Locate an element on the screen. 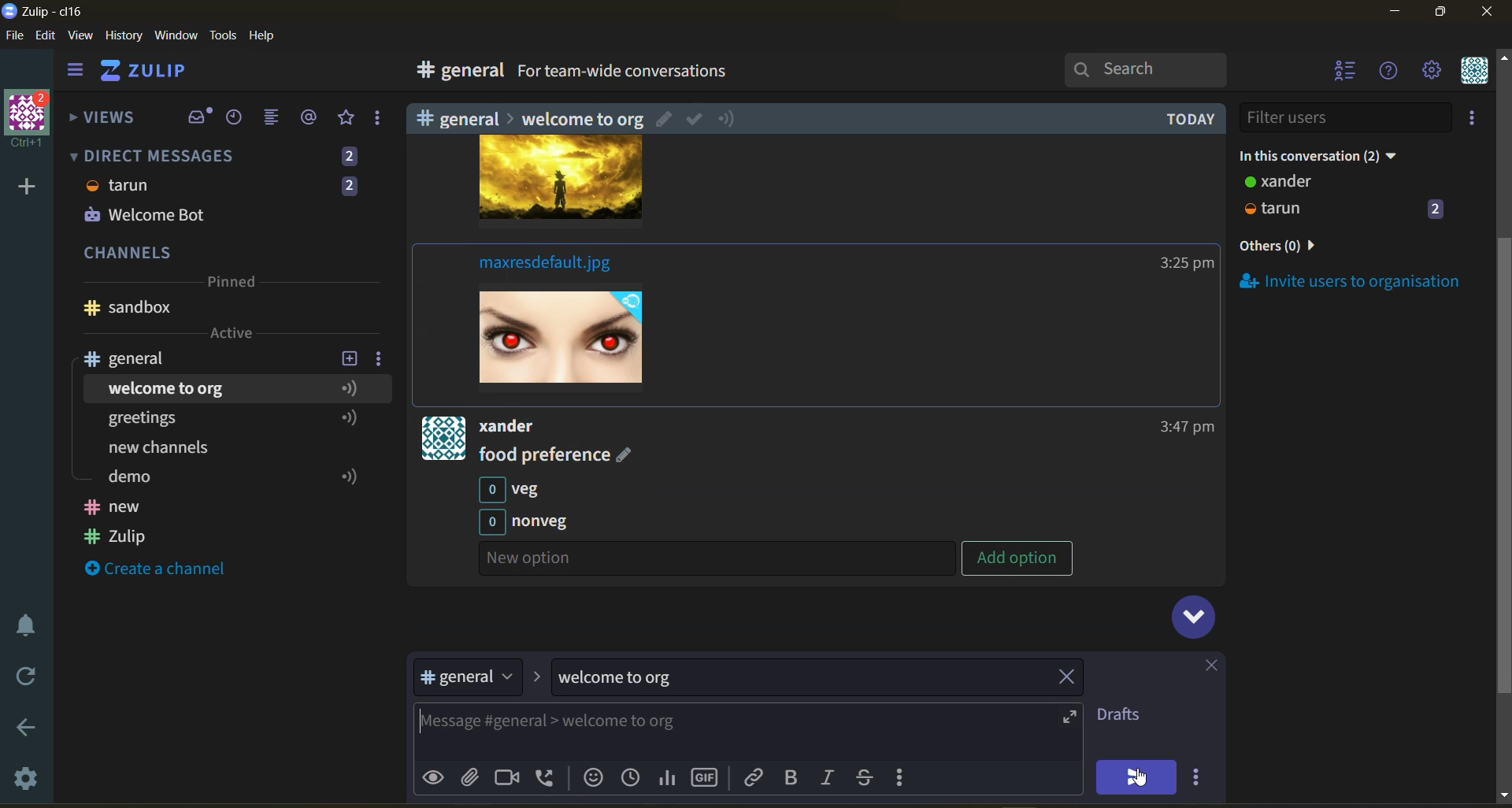 The width and height of the screenshot is (1512, 808). expand compose box is located at coordinates (1072, 718).